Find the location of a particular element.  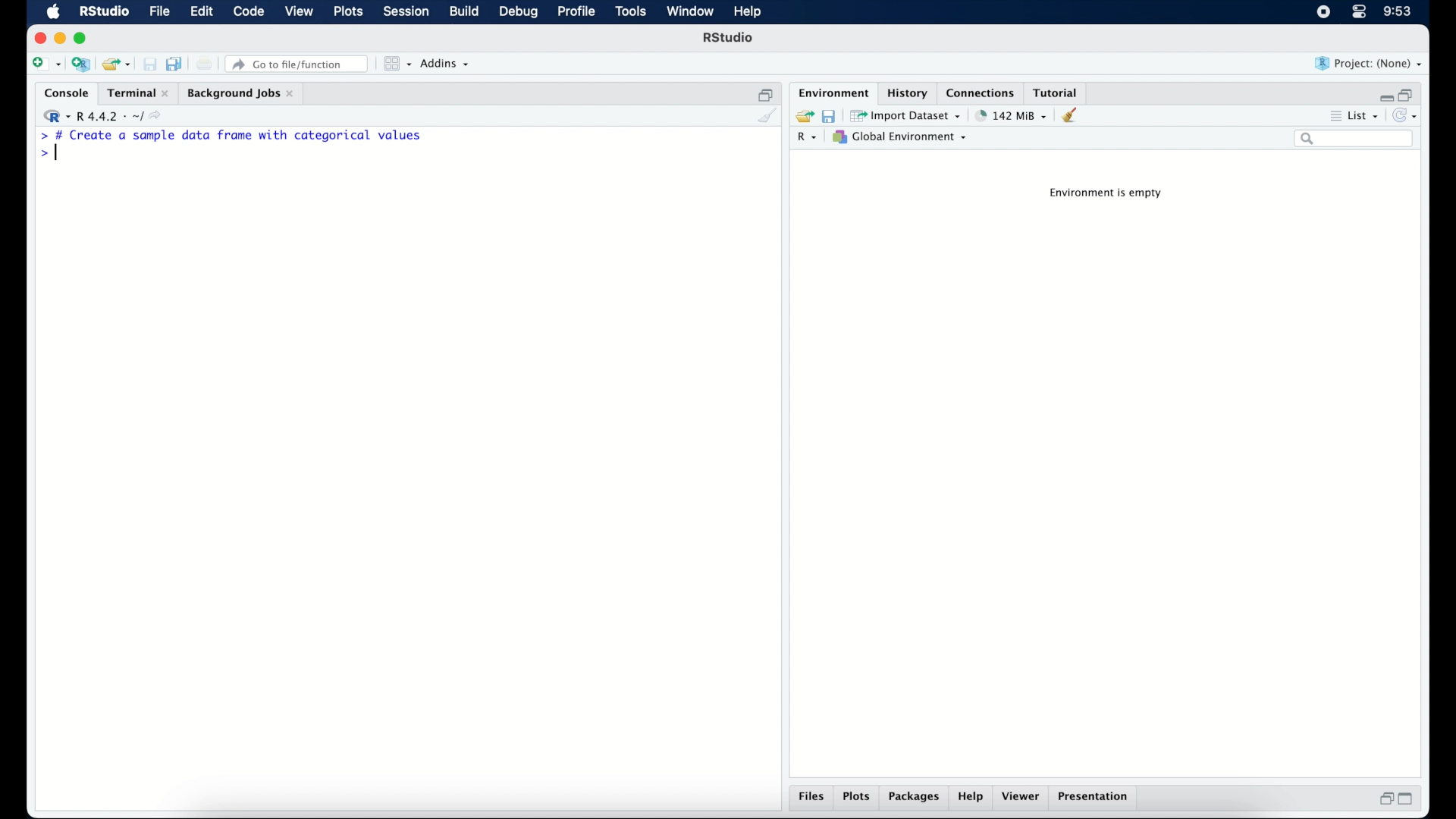

environment is empty is located at coordinates (1109, 195).